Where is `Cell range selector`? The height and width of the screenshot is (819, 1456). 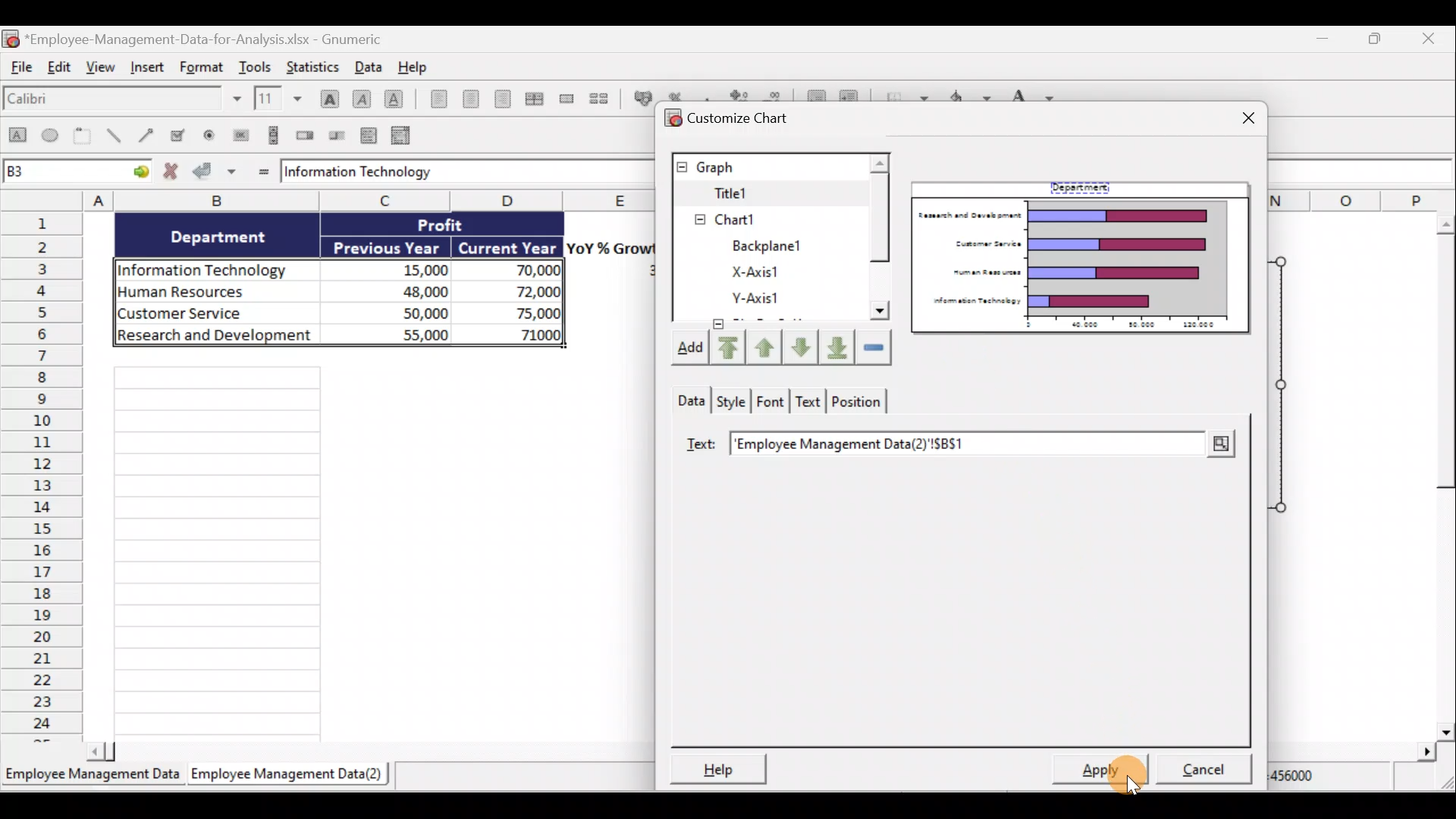
Cell range selector is located at coordinates (1219, 446).